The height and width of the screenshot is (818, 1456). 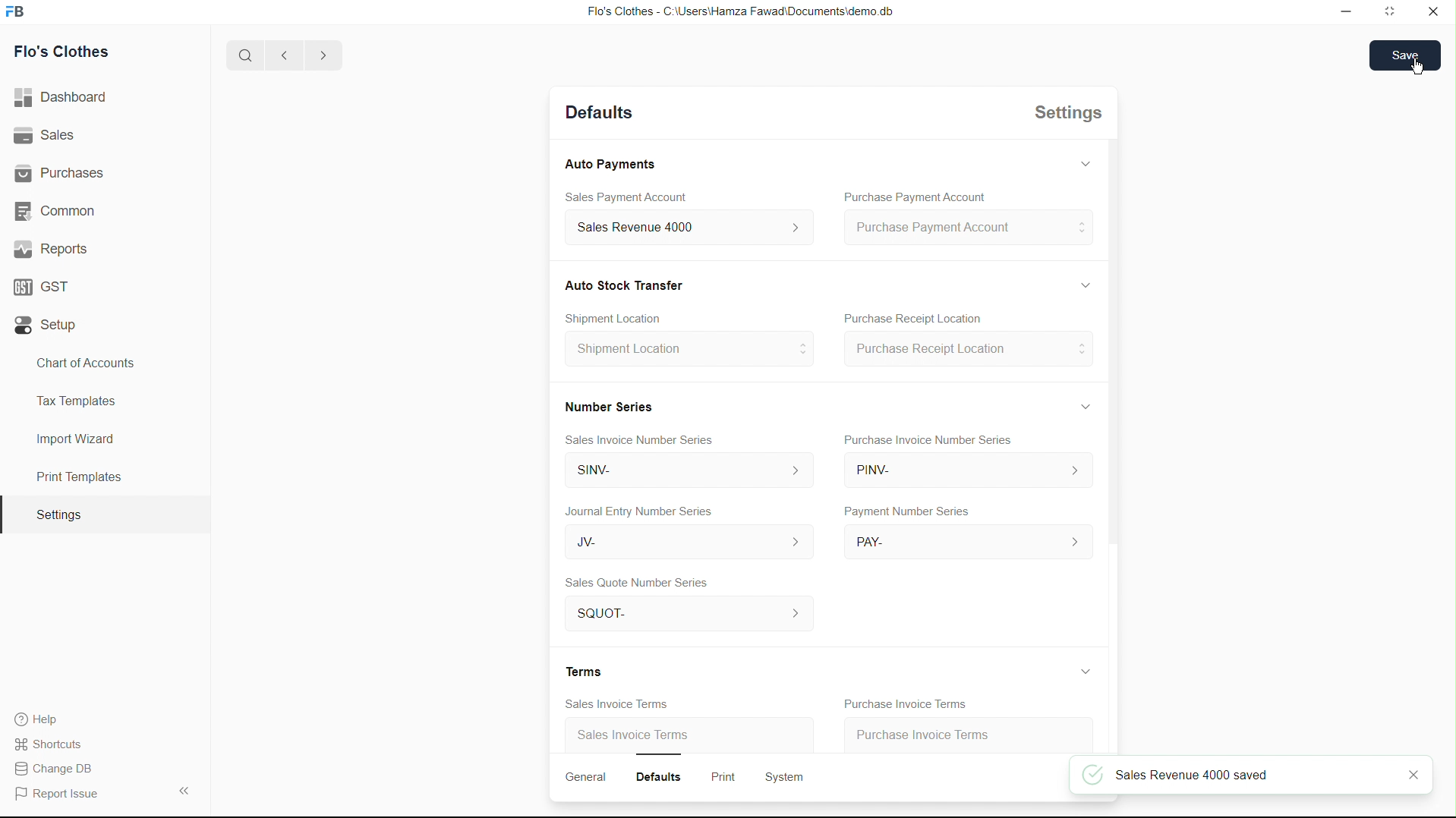 I want to click on Purchase Receipt Location, so click(x=917, y=317).